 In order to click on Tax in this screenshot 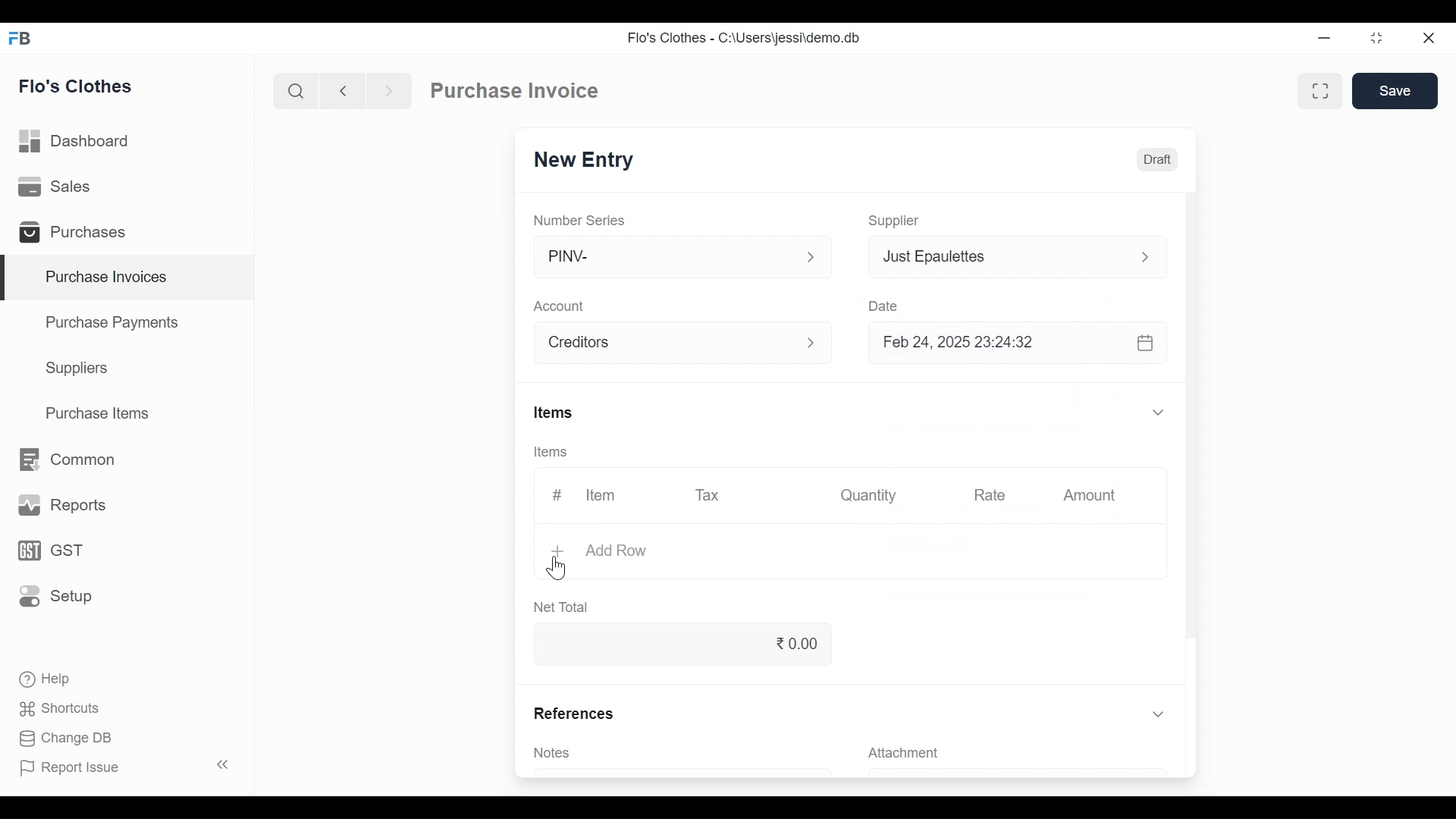, I will do `click(712, 496)`.